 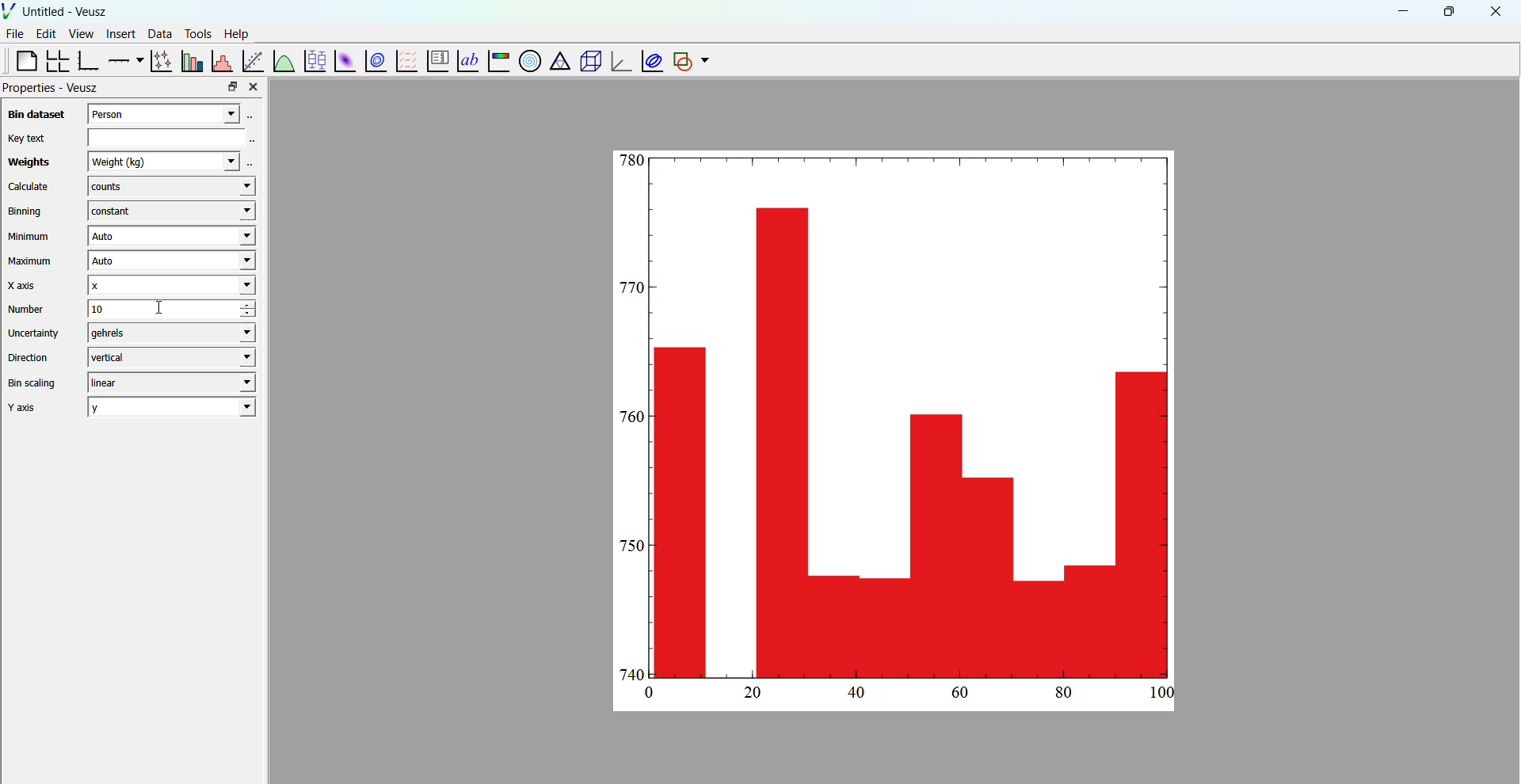 I want to click on Key Text Area, so click(x=175, y=136).